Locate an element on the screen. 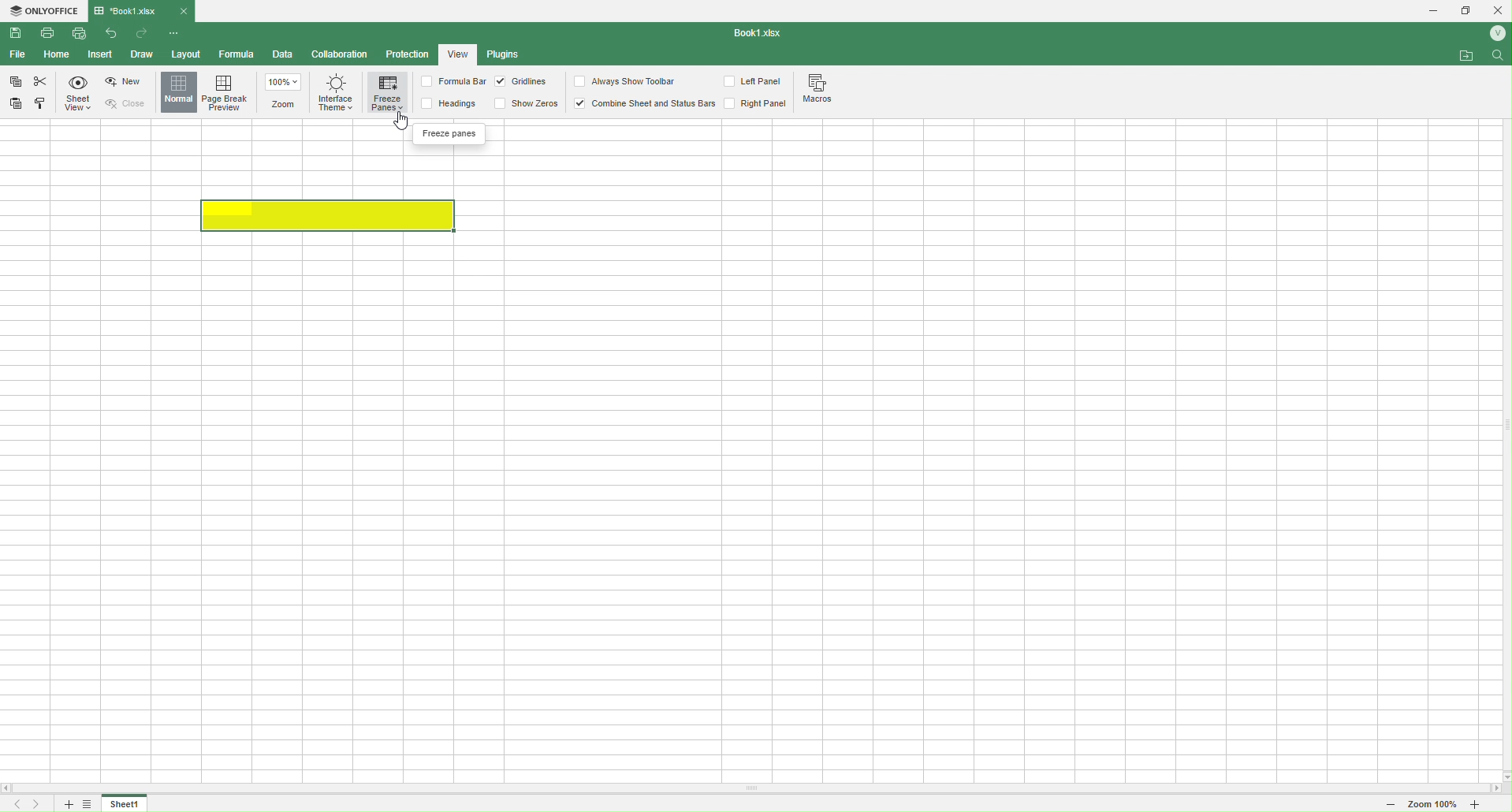  Book1.xlsx is located at coordinates (132, 10).